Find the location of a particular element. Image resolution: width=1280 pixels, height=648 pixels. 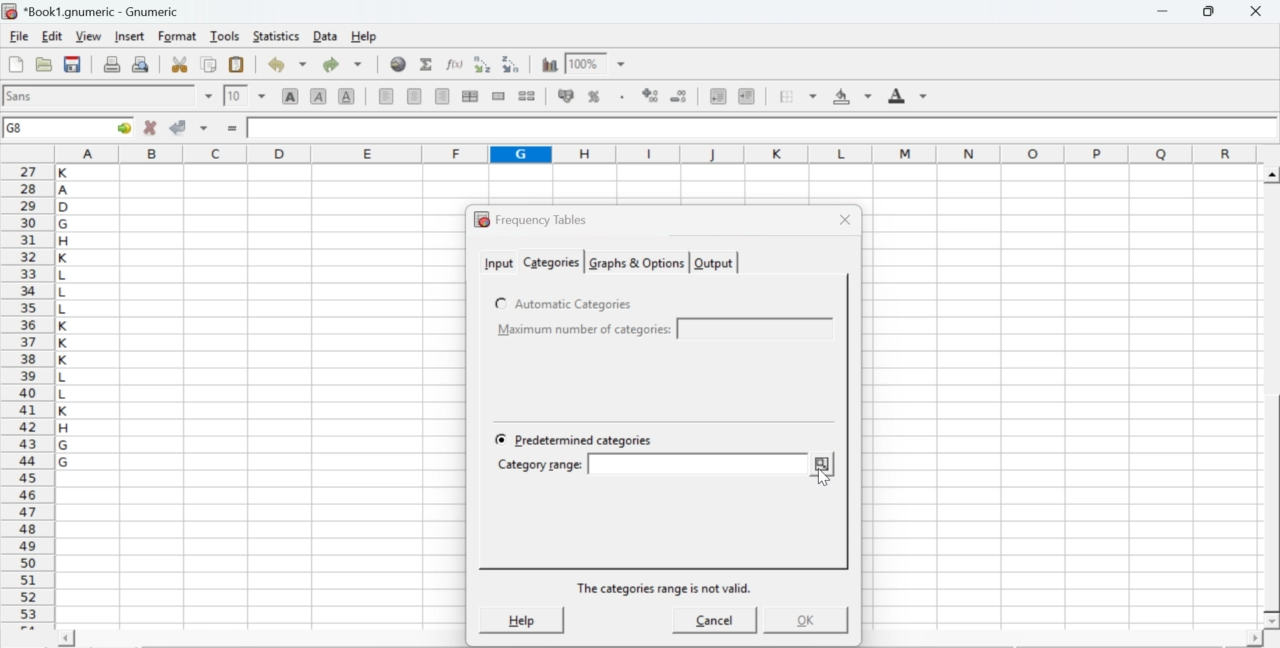

center horizontally is located at coordinates (415, 96).